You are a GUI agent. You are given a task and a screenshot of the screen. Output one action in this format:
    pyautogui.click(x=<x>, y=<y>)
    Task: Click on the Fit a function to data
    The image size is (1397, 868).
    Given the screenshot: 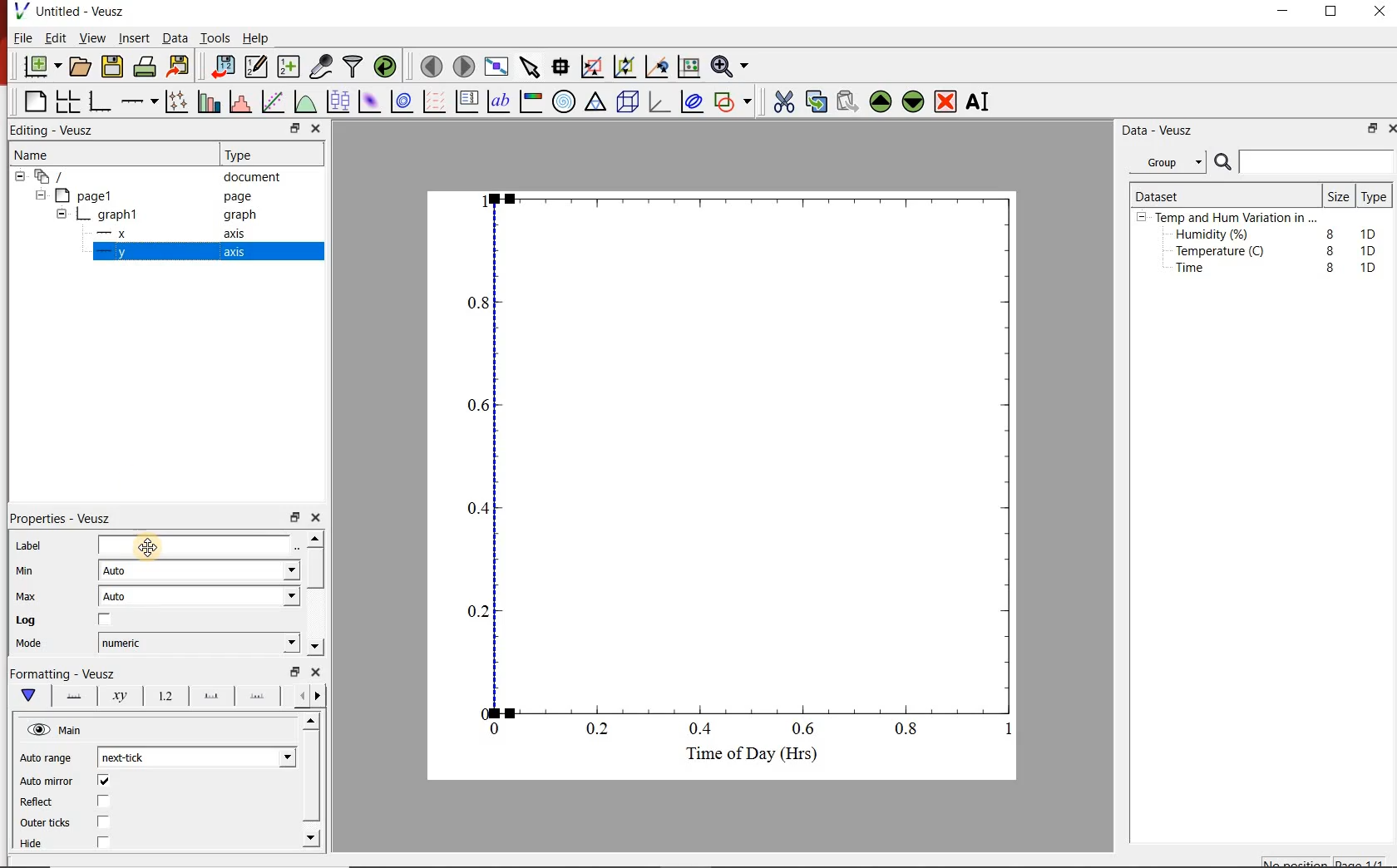 What is the action you would take?
    pyautogui.click(x=274, y=101)
    